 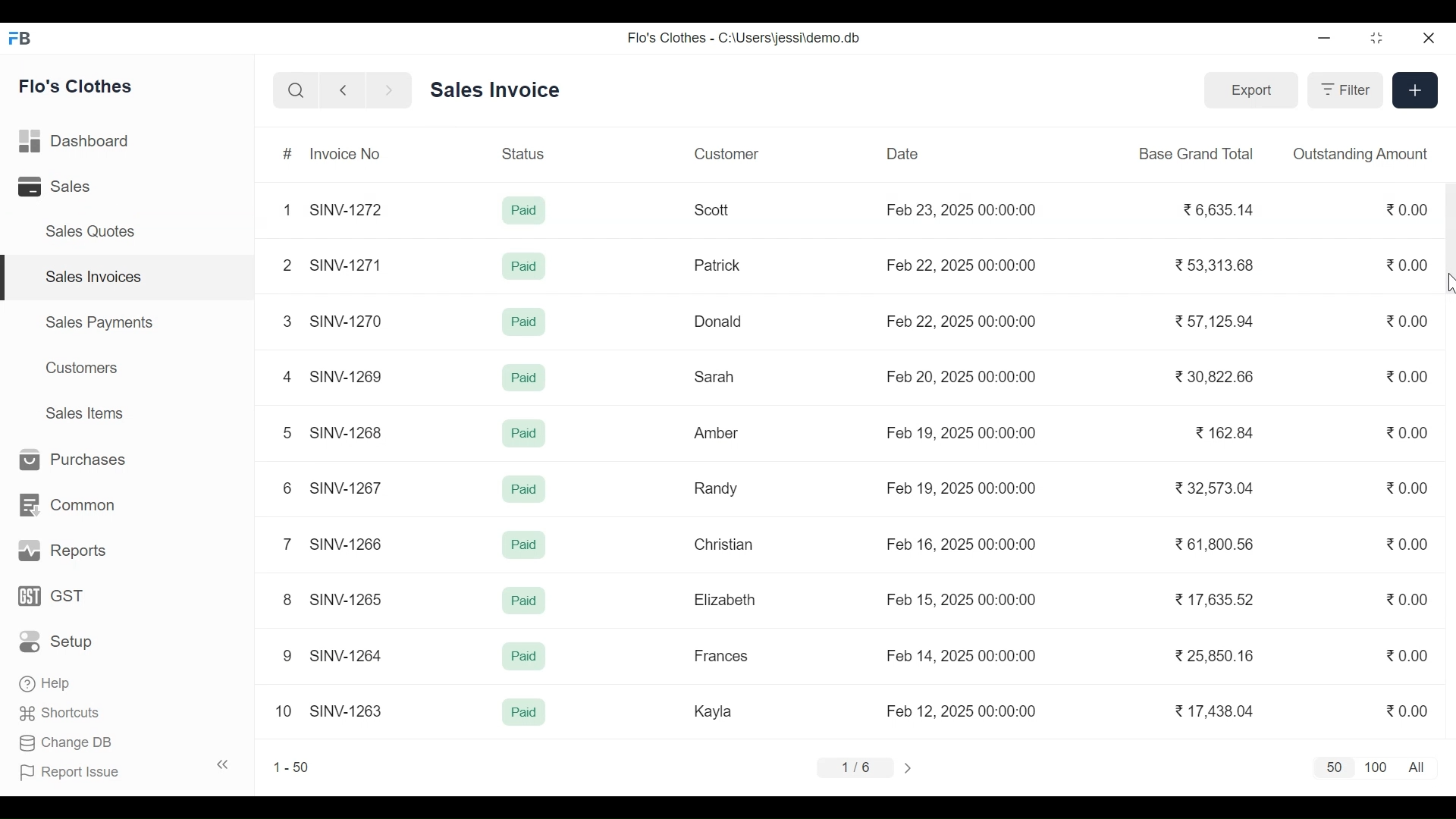 What do you see at coordinates (67, 745) in the screenshot?
I see `Change DB` at bounding box center [67, 745].